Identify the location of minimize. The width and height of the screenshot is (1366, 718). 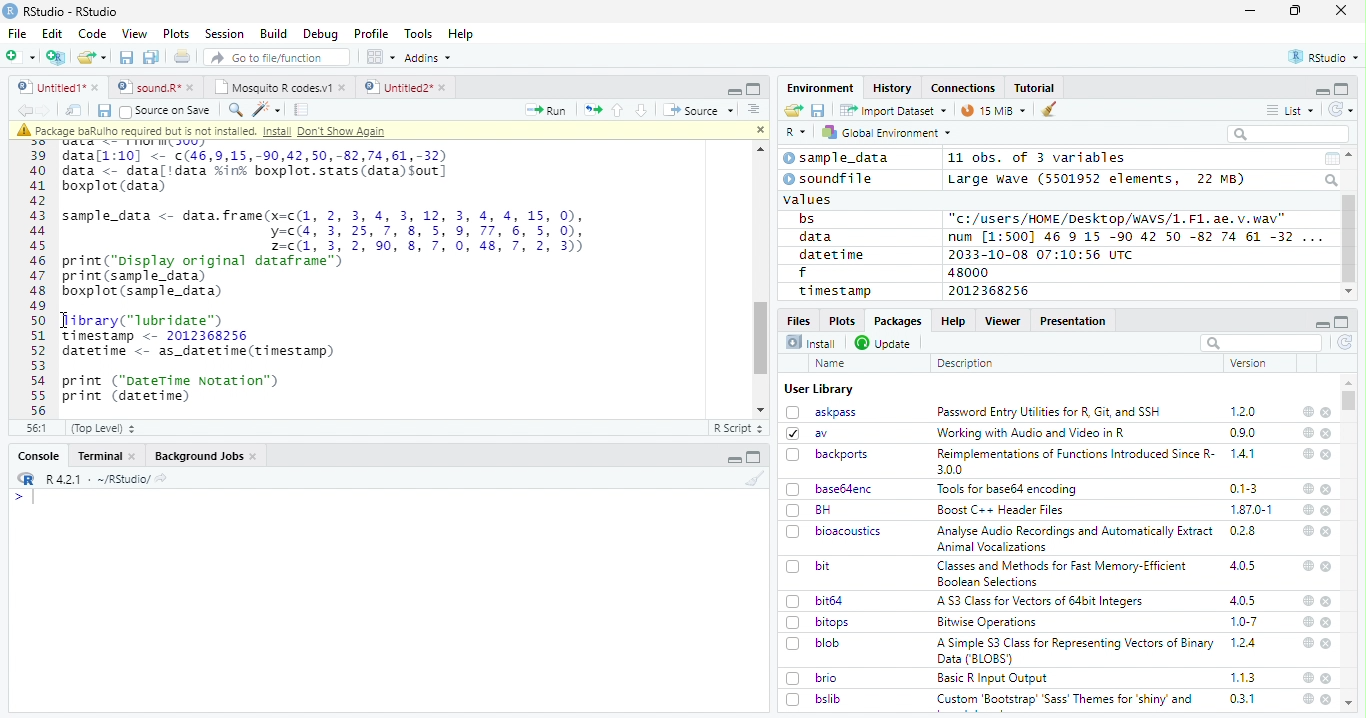
(1321, 322).